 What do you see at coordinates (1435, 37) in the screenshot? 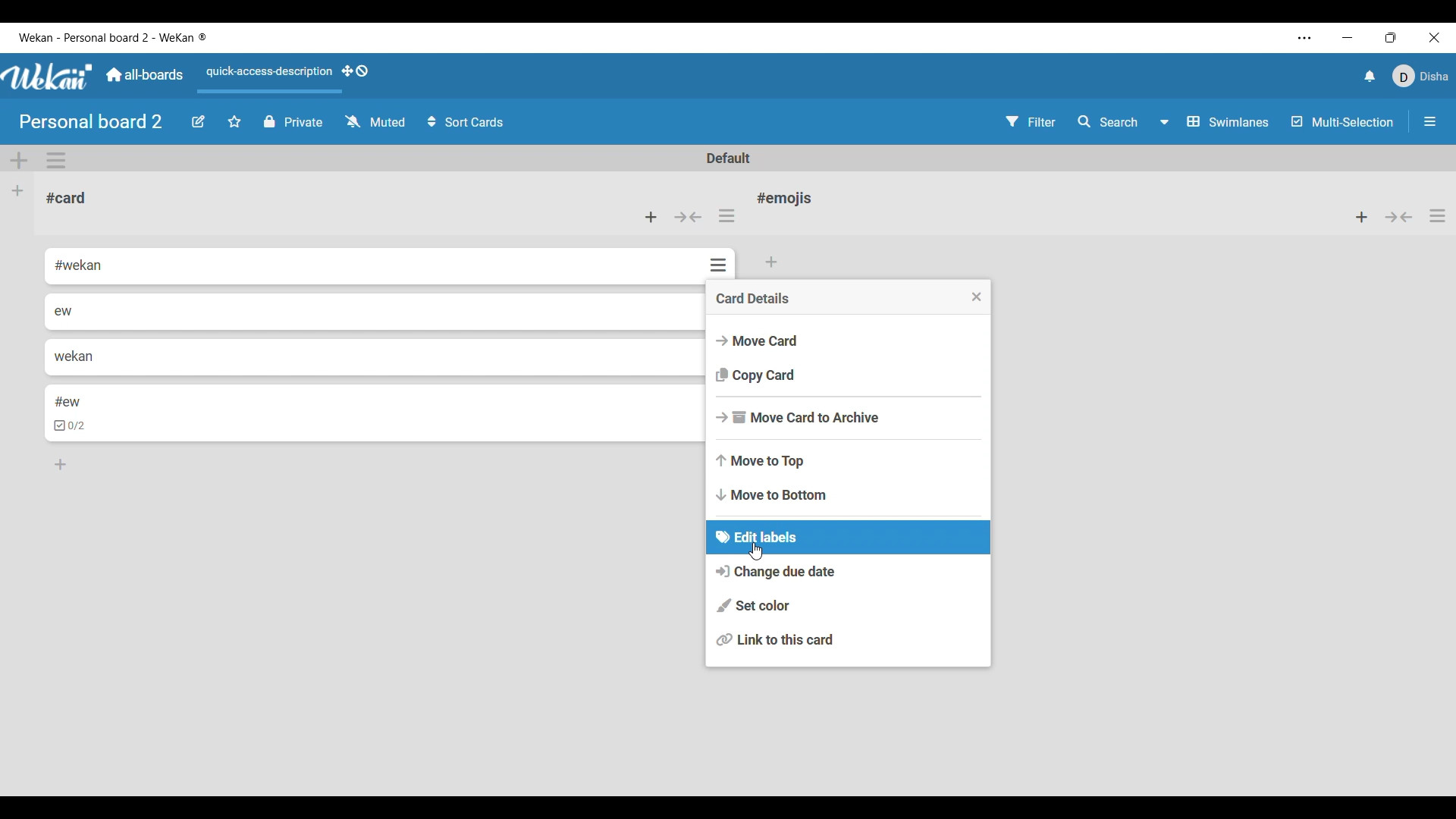
I see `Close interface ` at bounding box center [1435, 37].